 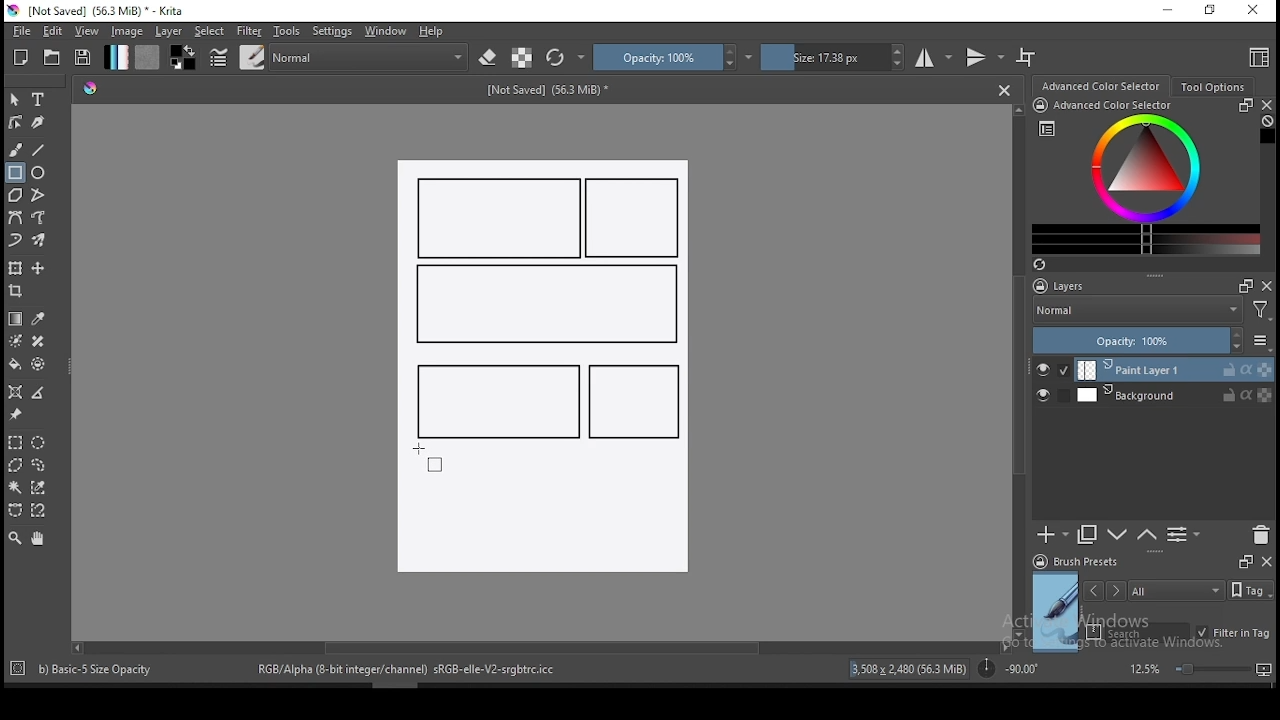 What do you see at coordinates (636, 219) in the screenshot?
I see `new rectangle` at bounding box center [636, 219].